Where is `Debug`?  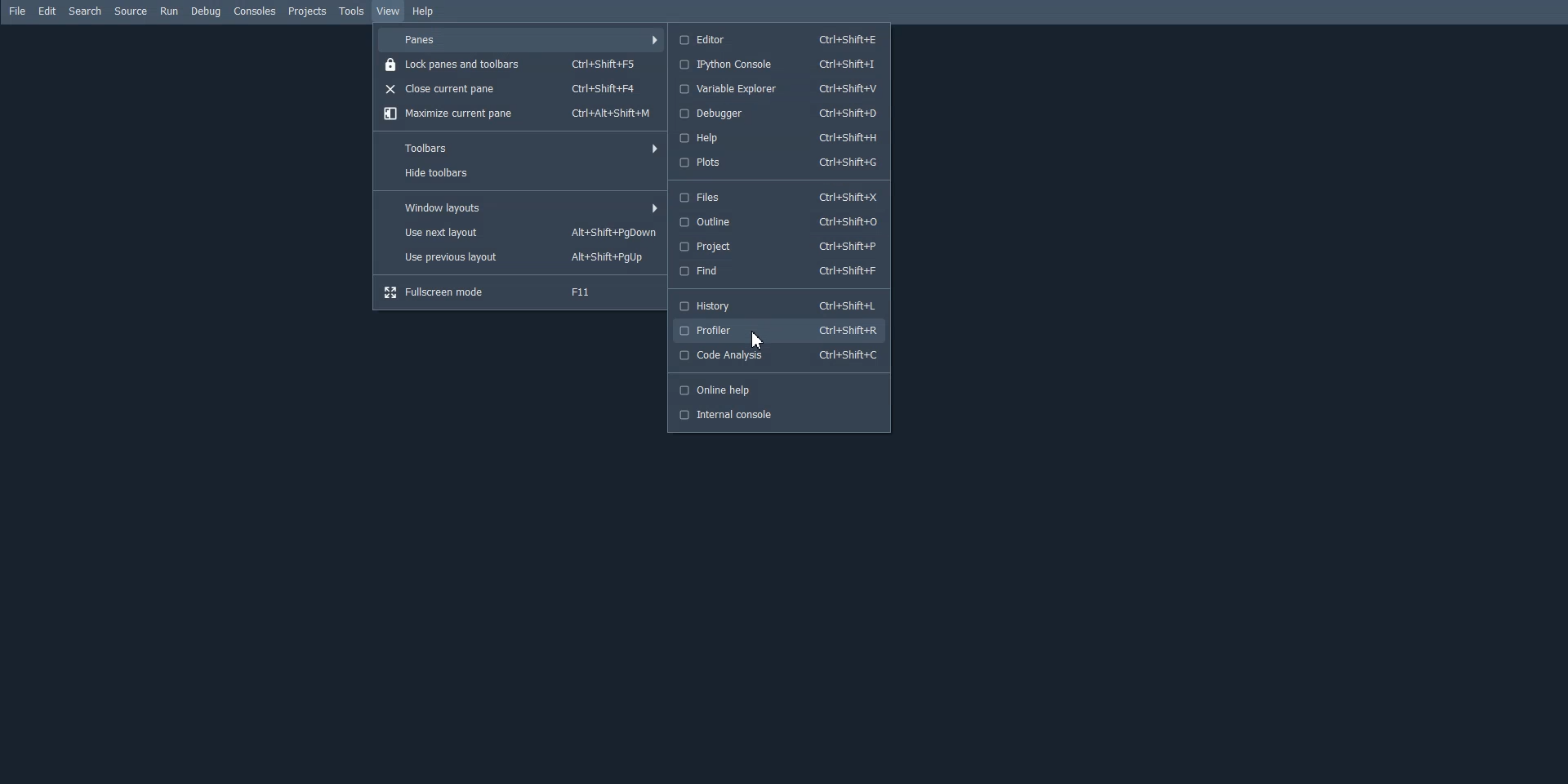 Debug is located at coordinates (205, 12).